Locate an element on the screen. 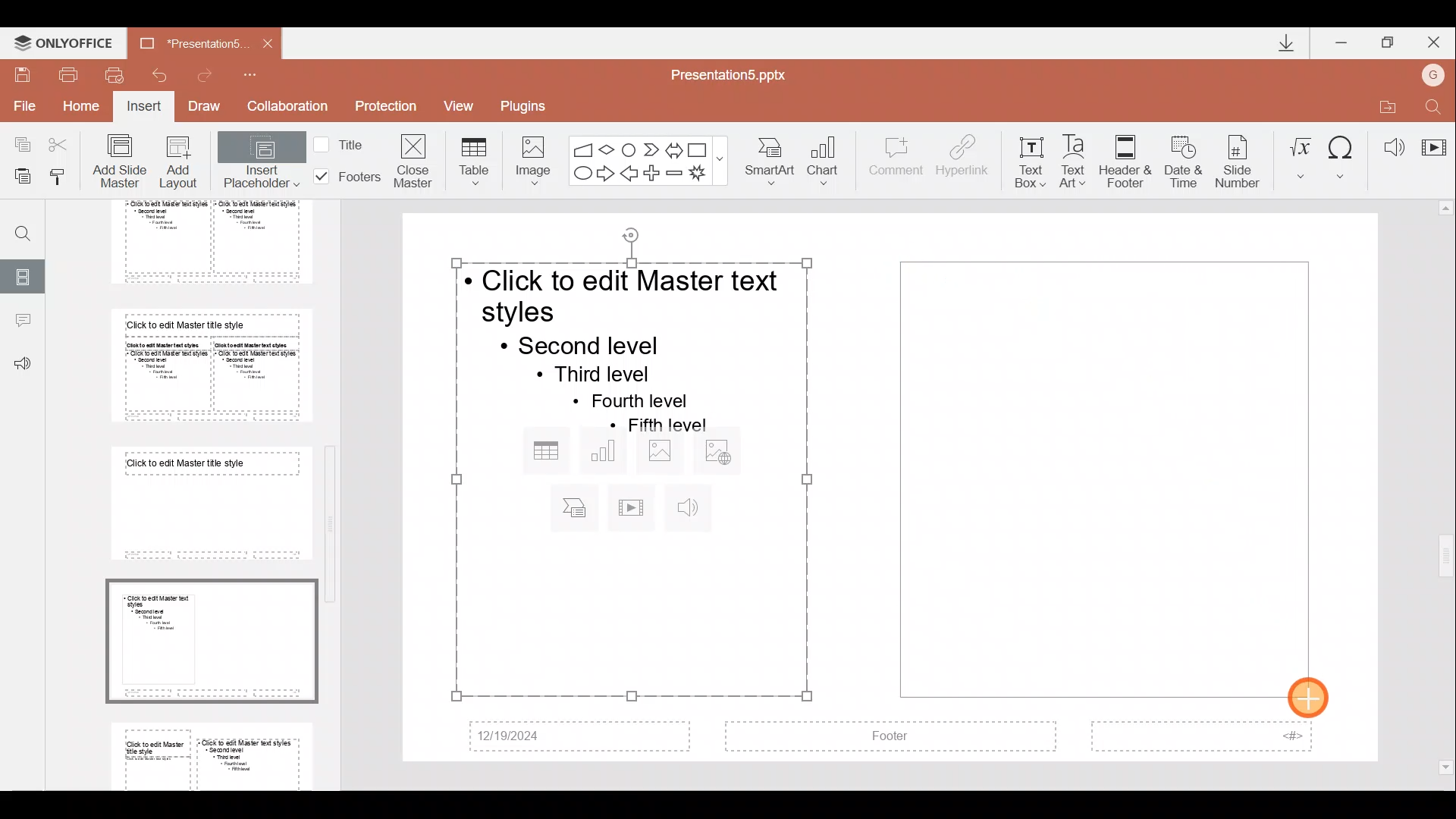  Inserted placeholder on presentation slide is located at coordinates (1106, 477).